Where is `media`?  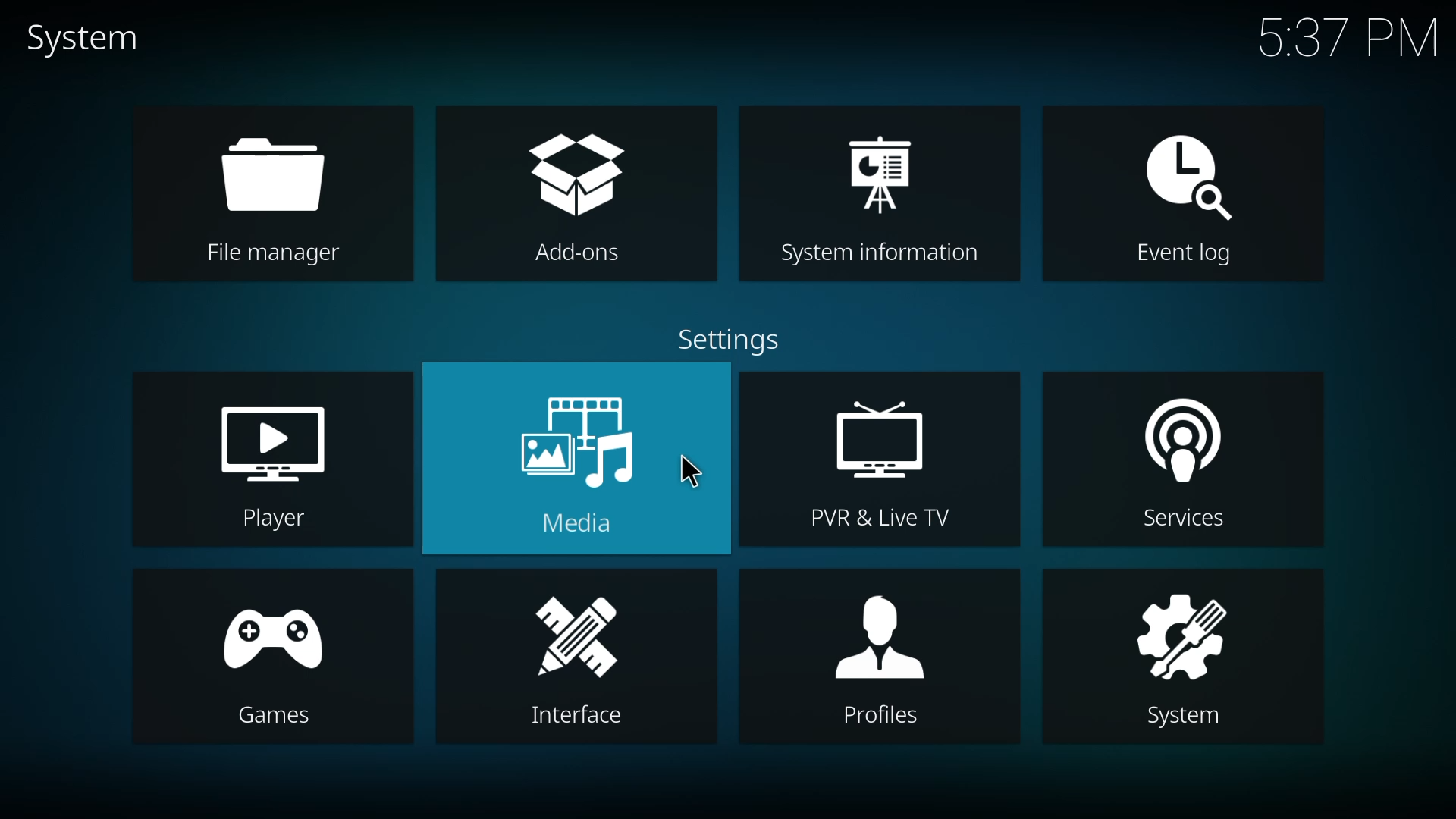
media is located at coordinates (576, 441).